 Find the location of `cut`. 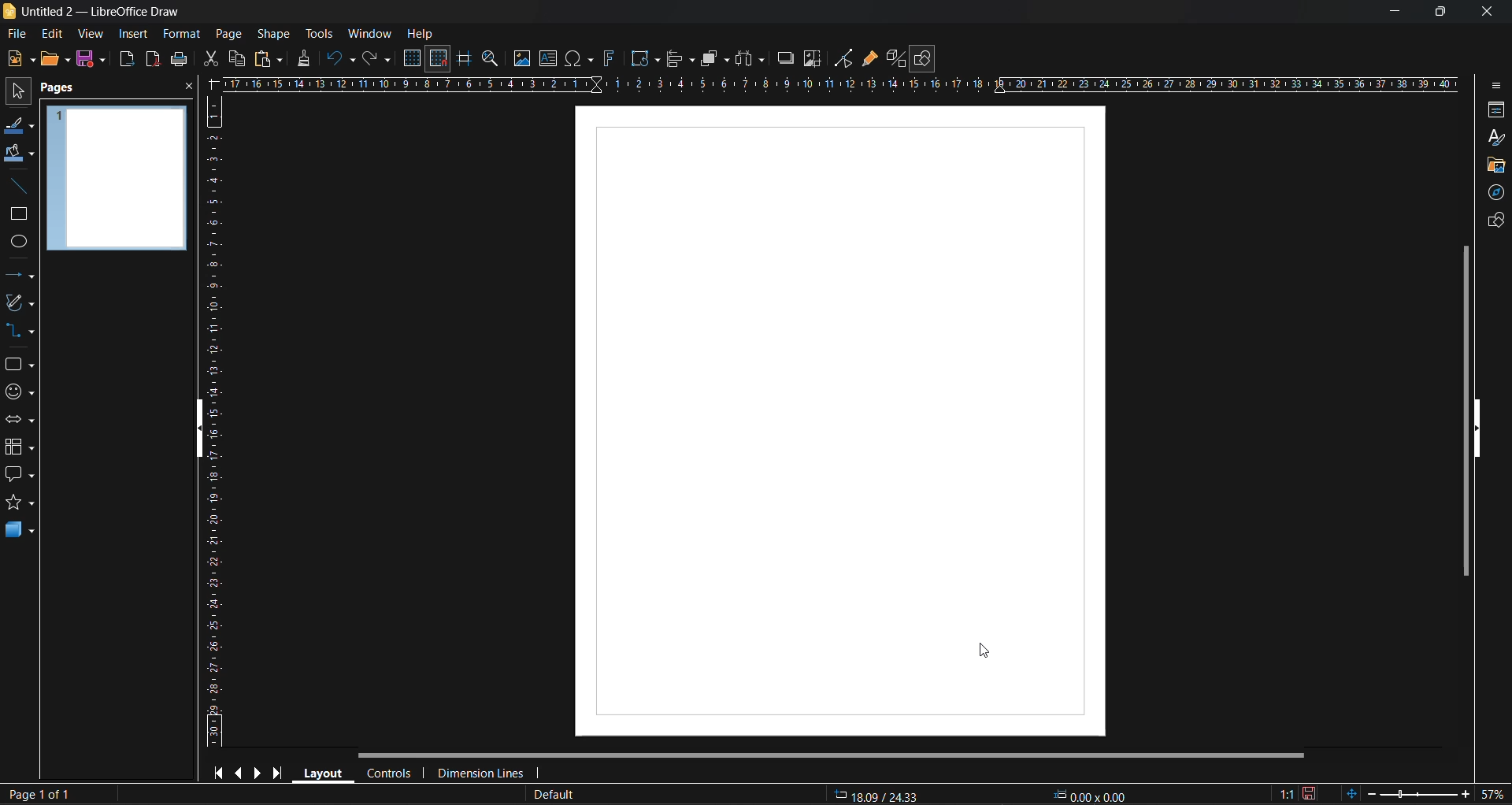

cut is located at coordinates (207, 59).